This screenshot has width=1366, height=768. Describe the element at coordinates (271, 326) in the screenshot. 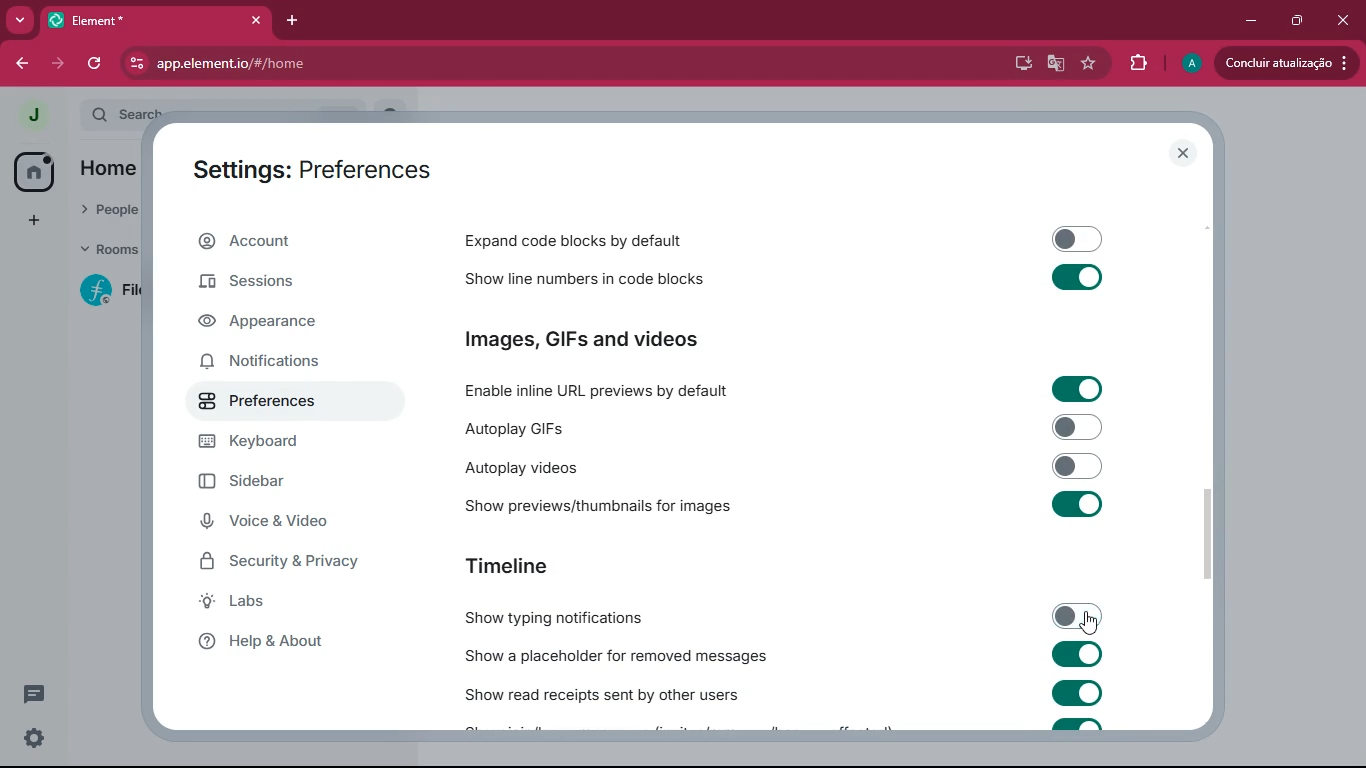

I see `appearance` at that location.